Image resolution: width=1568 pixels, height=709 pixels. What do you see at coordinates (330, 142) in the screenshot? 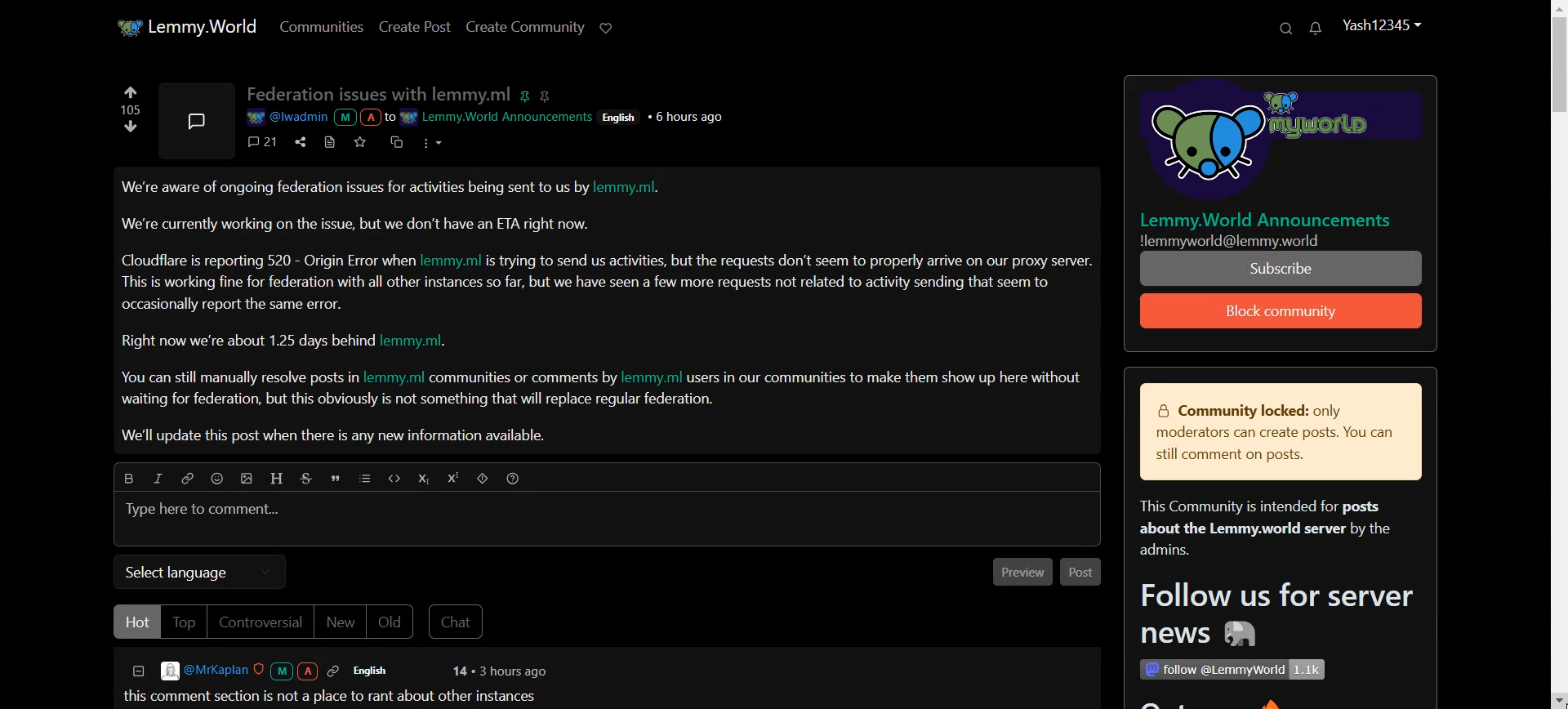
I see `View Source` at bounding box center [330, 142].